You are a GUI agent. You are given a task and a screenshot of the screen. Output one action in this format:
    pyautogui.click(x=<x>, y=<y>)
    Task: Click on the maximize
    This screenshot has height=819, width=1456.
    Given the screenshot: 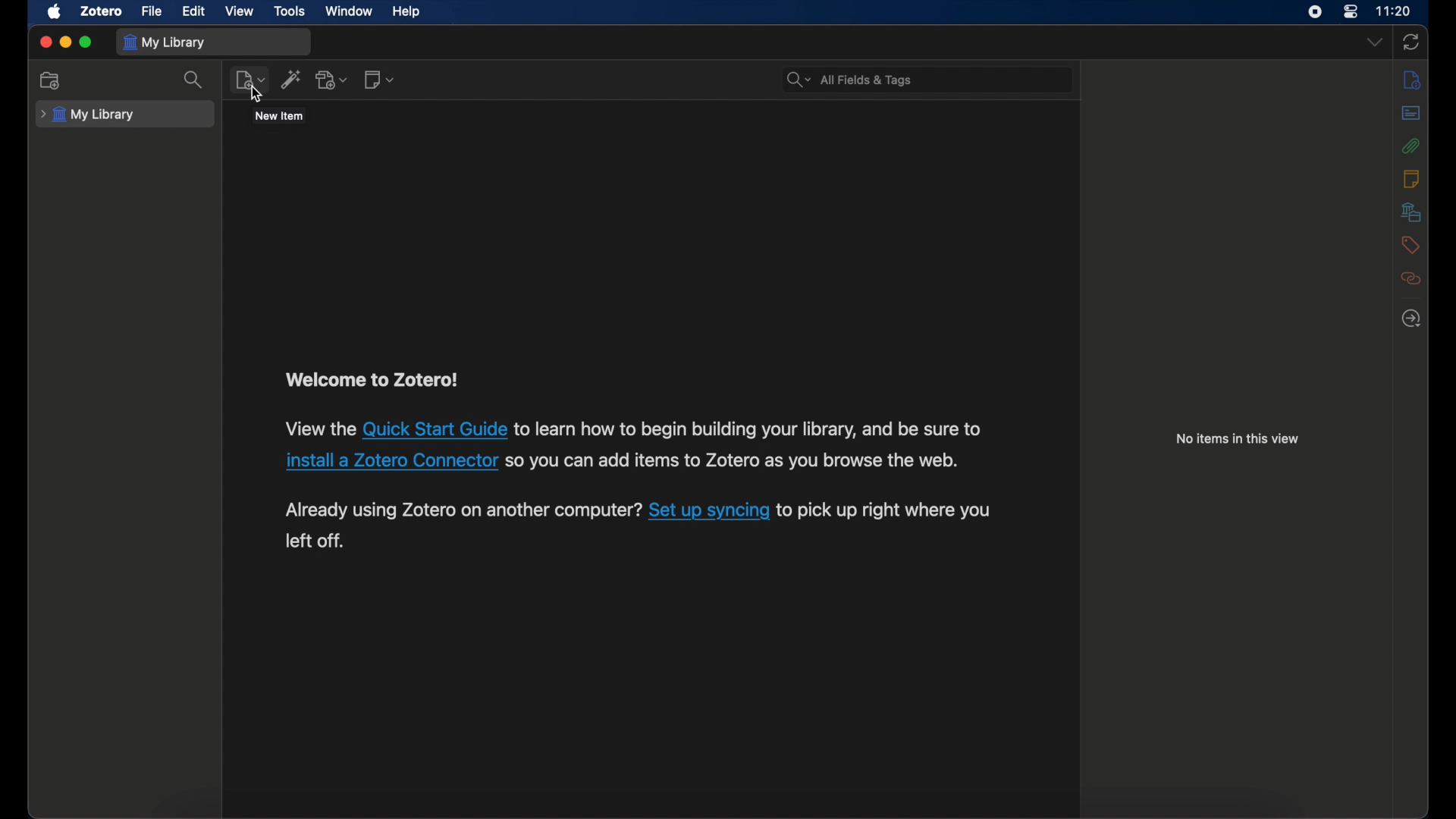 What is the action you would take?
    pyautogui.click(x=86, y=42)
    